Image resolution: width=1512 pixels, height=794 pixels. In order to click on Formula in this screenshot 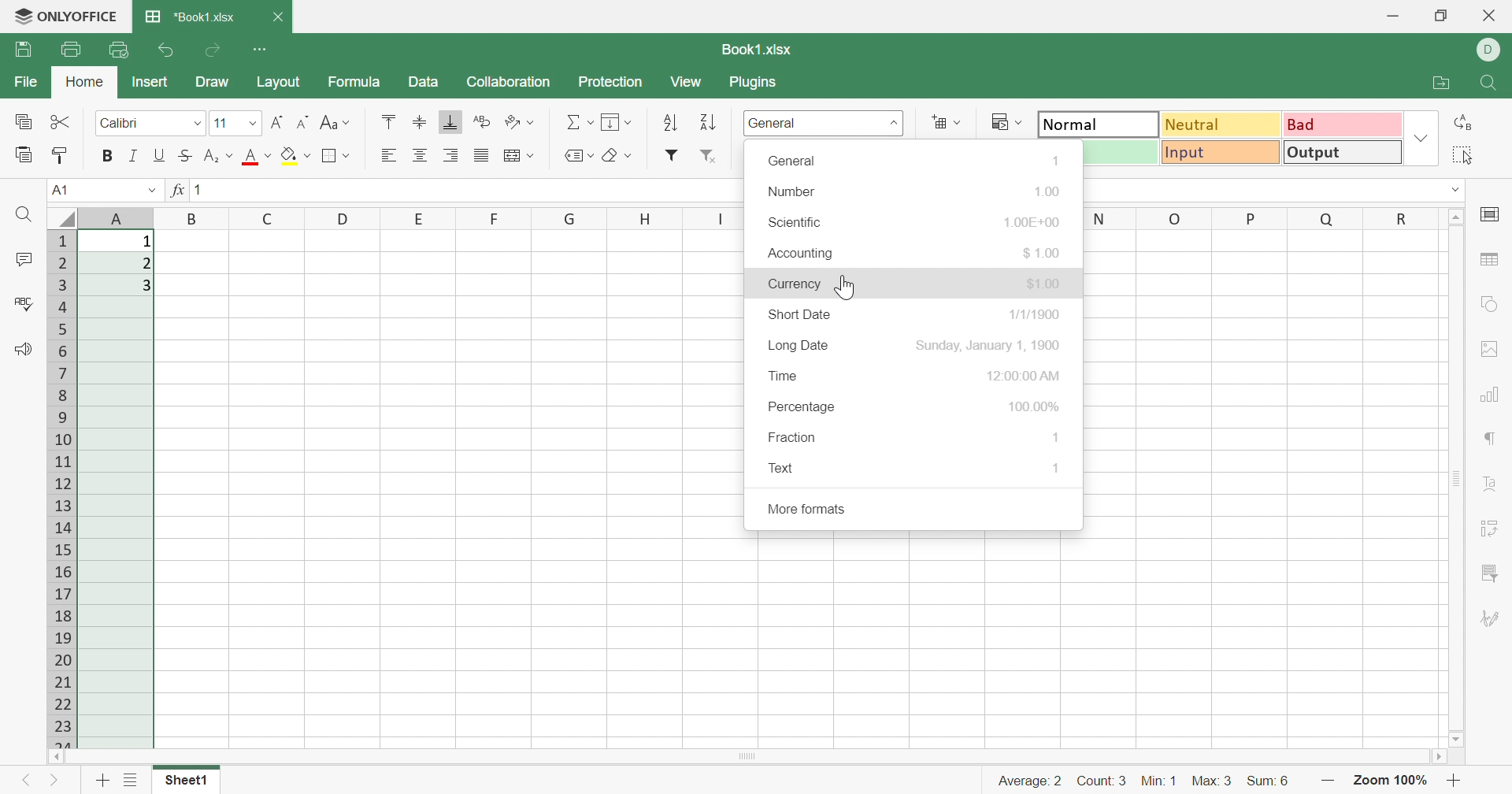, I will do `click(352, 83)`.